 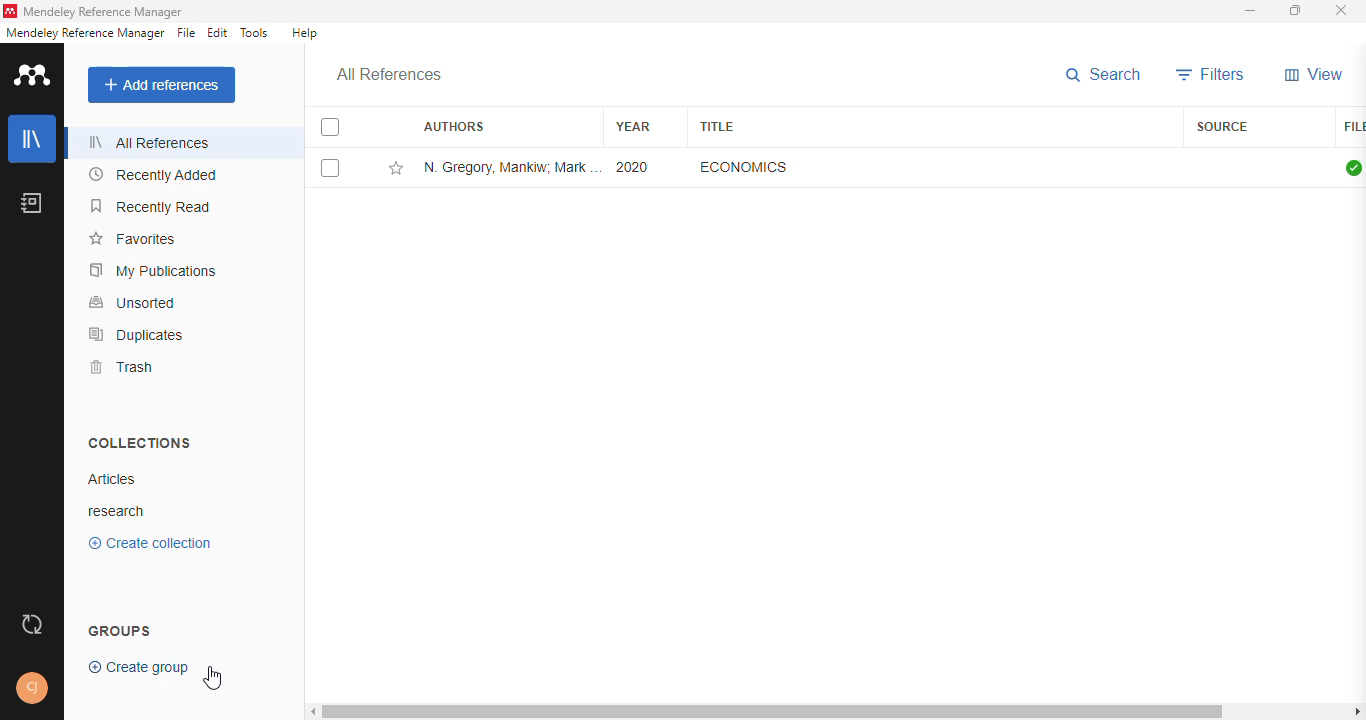 I want to click on favorites, so click(x=134, y=239).